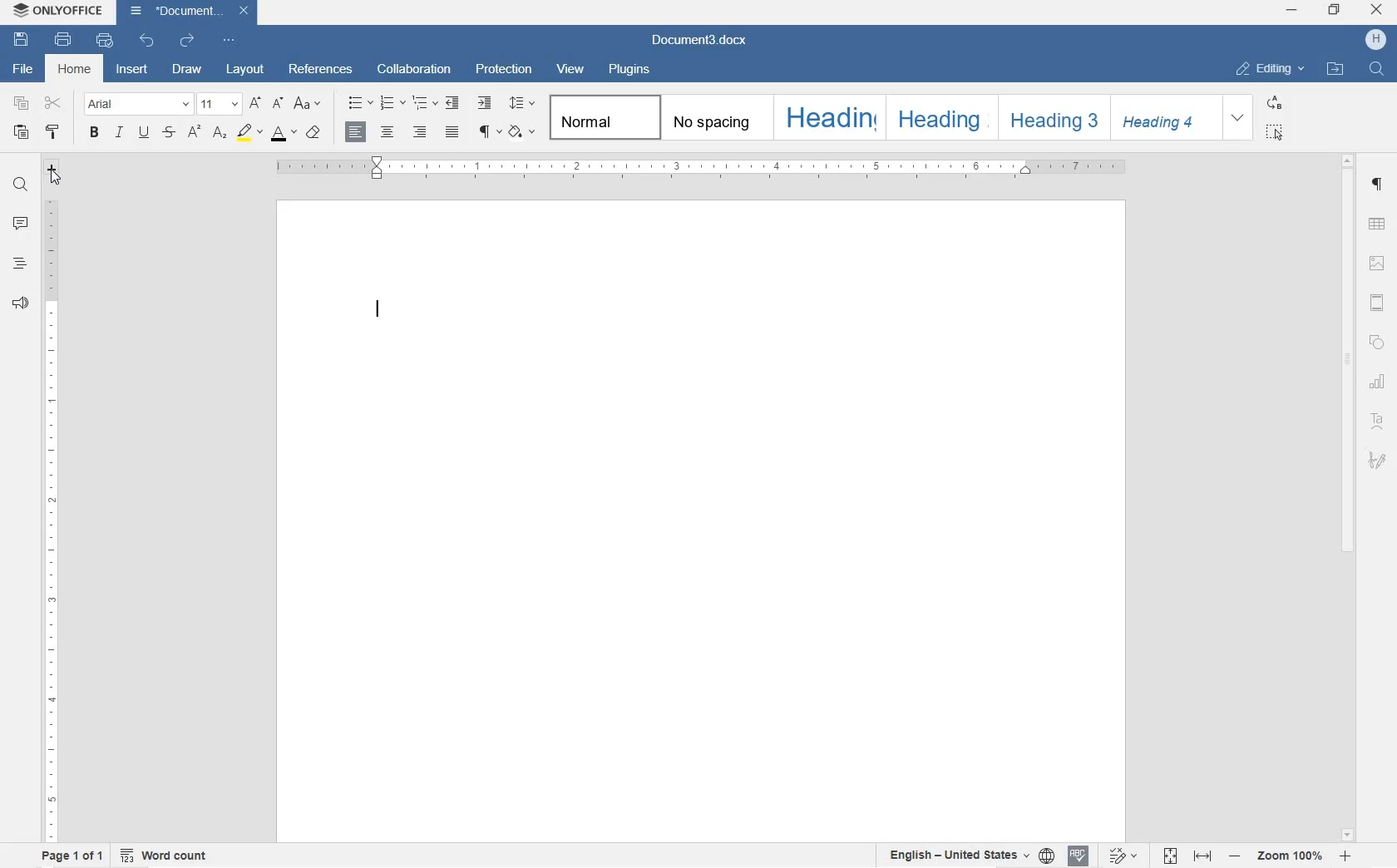 The image size is (1397, 868). Describe the element at coordinates (322, 72) in the screenshot. I see `REFERENCES` at that location.